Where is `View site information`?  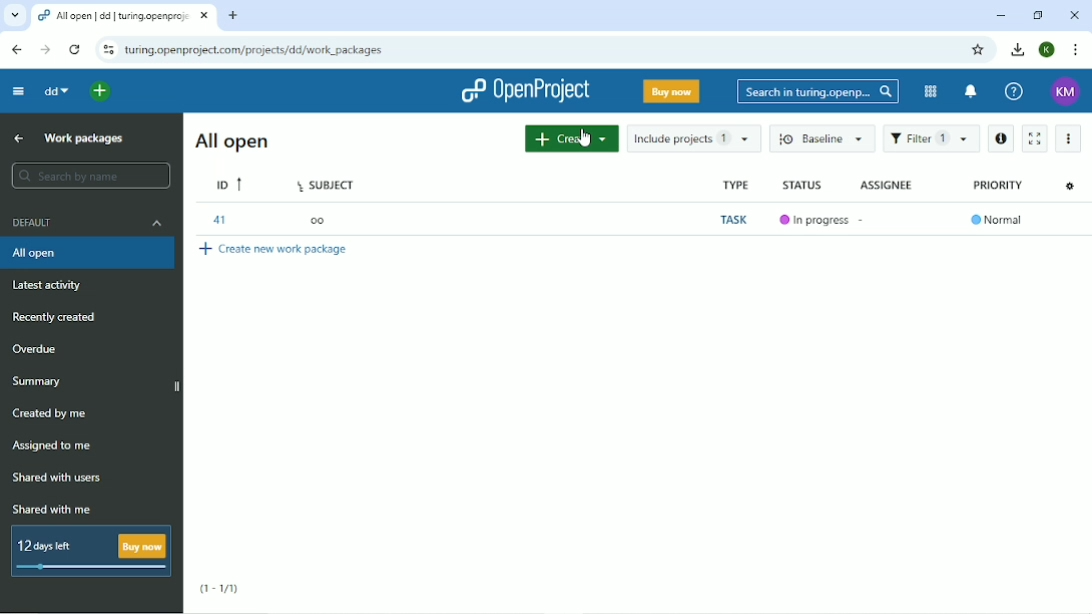
View site information is located at coordinates (107, 49).